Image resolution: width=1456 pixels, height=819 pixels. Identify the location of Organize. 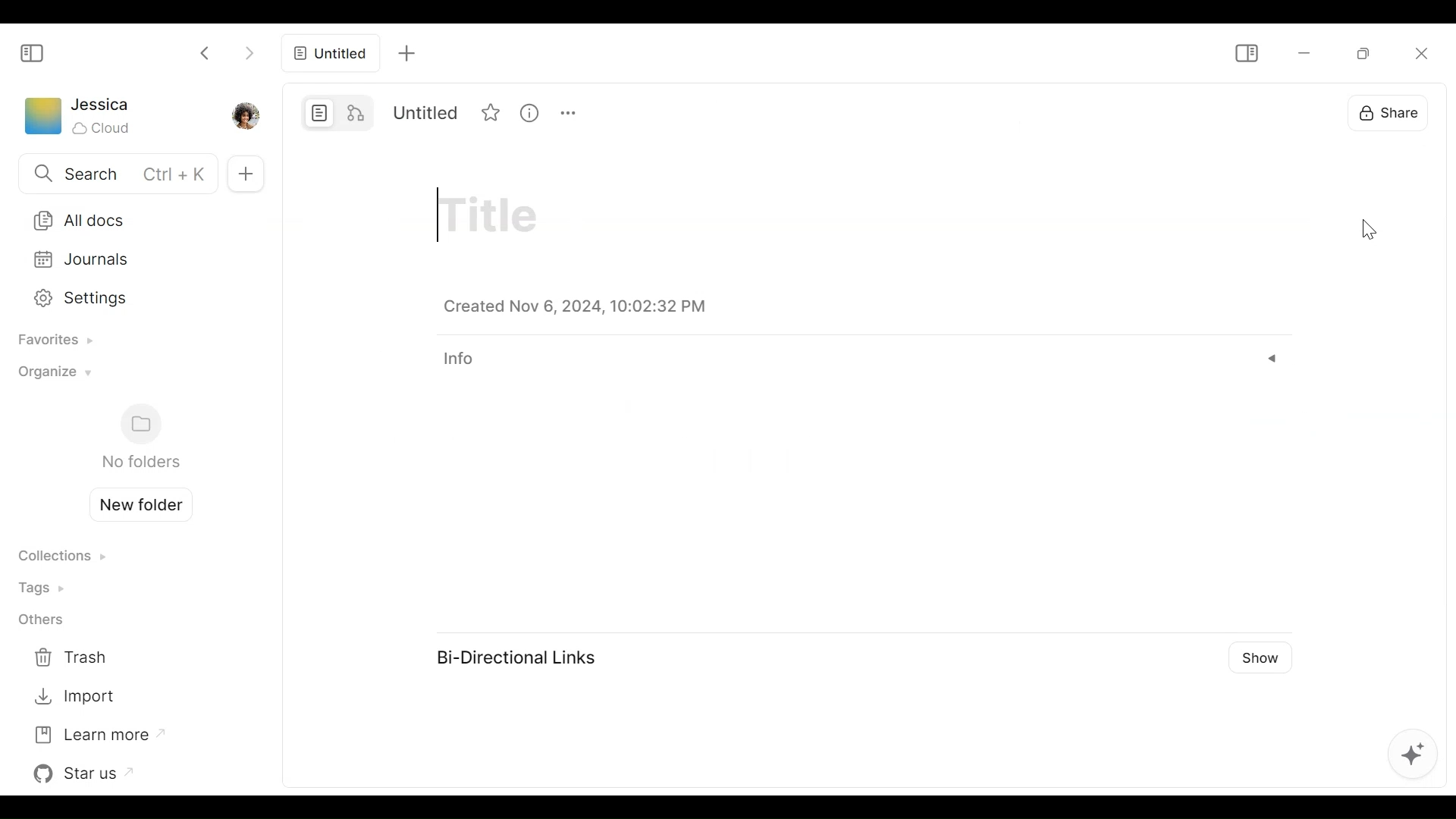
(51, 376).